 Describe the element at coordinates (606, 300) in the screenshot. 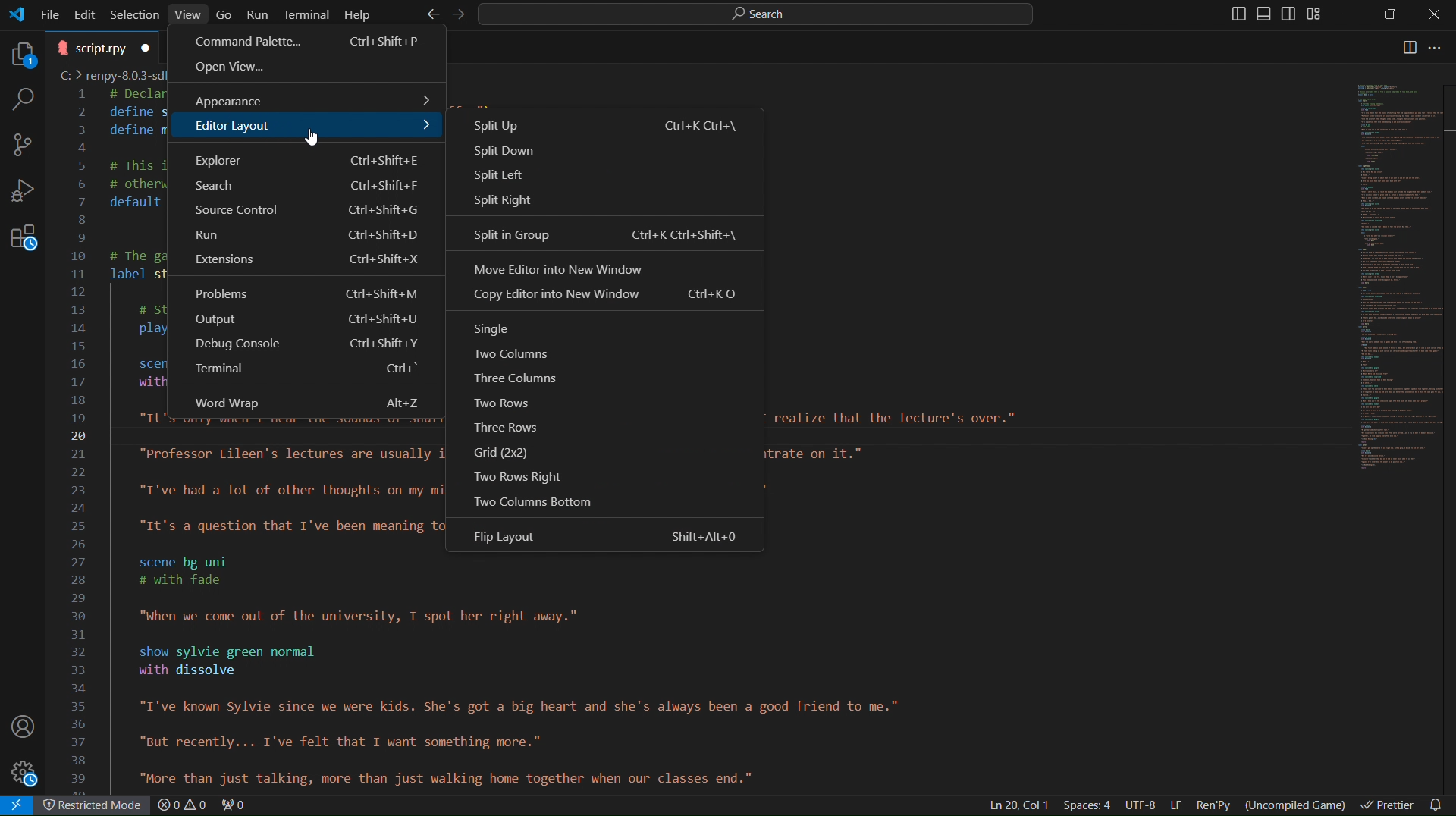

I see `Copy Editor into the New Window   ctrl+K O` at that location.